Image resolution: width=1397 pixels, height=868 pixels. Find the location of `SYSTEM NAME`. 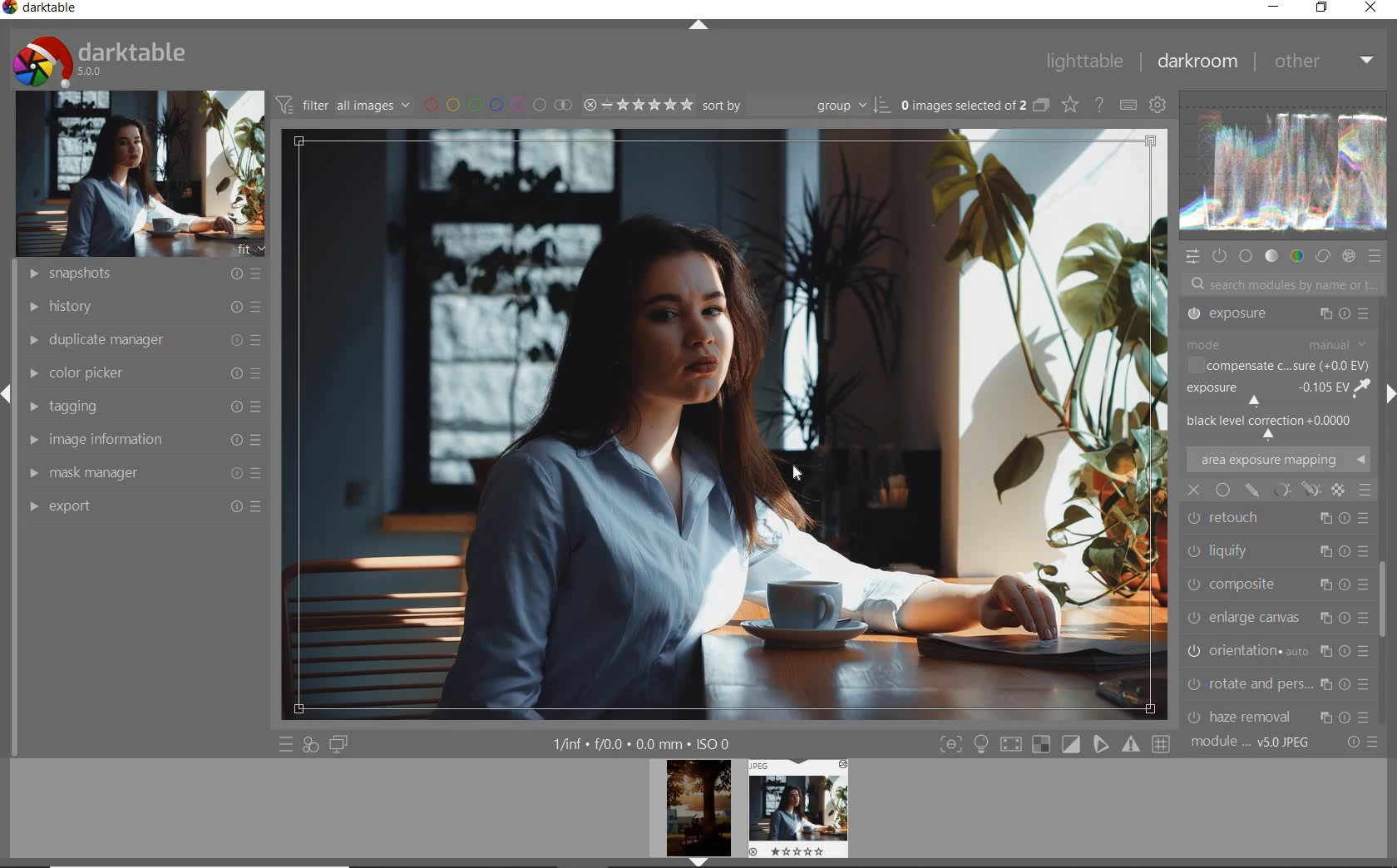

SYSTEM NAME is located at coordinates (42, 11).